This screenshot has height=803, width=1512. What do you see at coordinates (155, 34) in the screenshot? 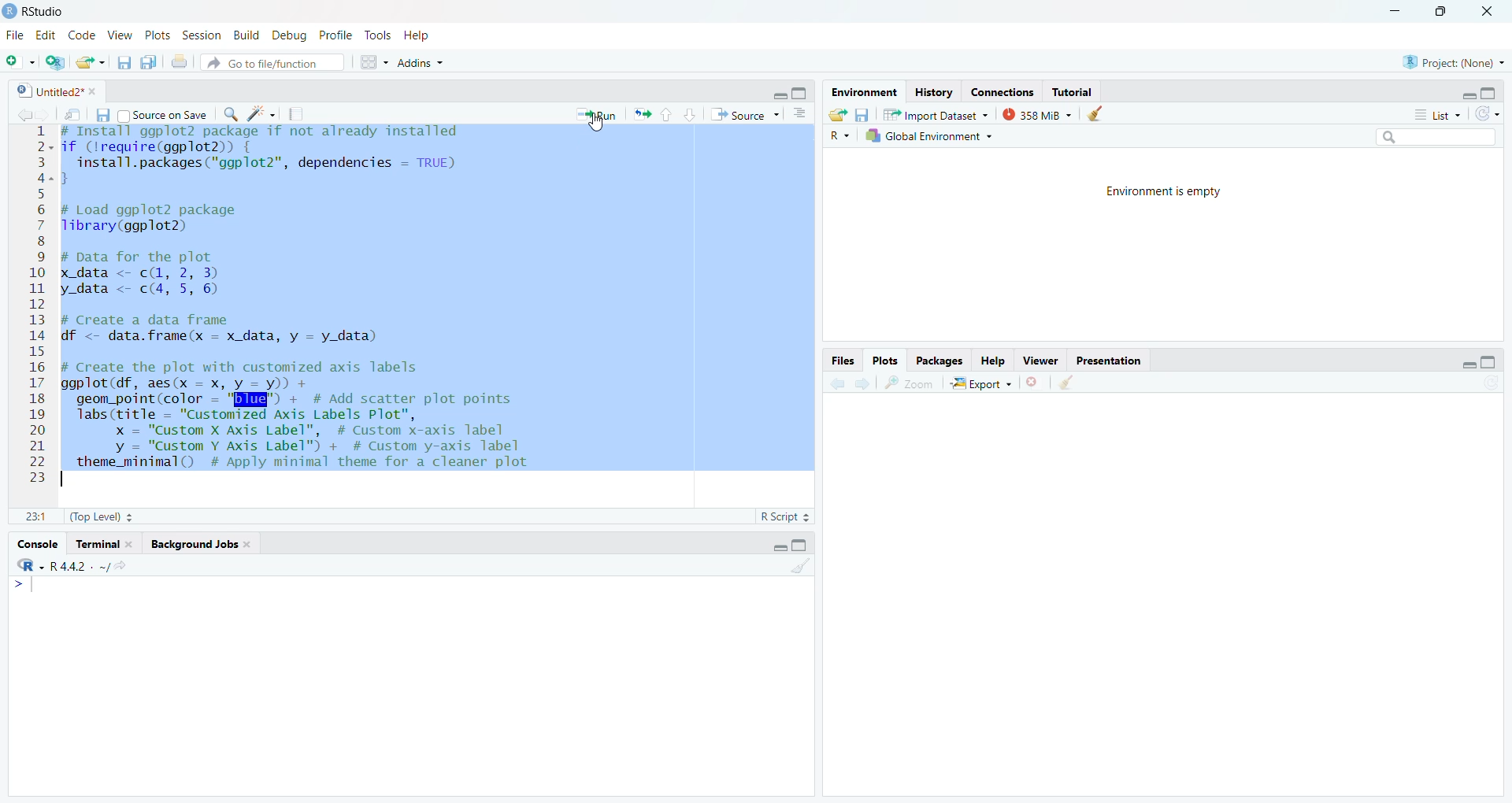
I see `Plots` at bounding box center [155, 34].